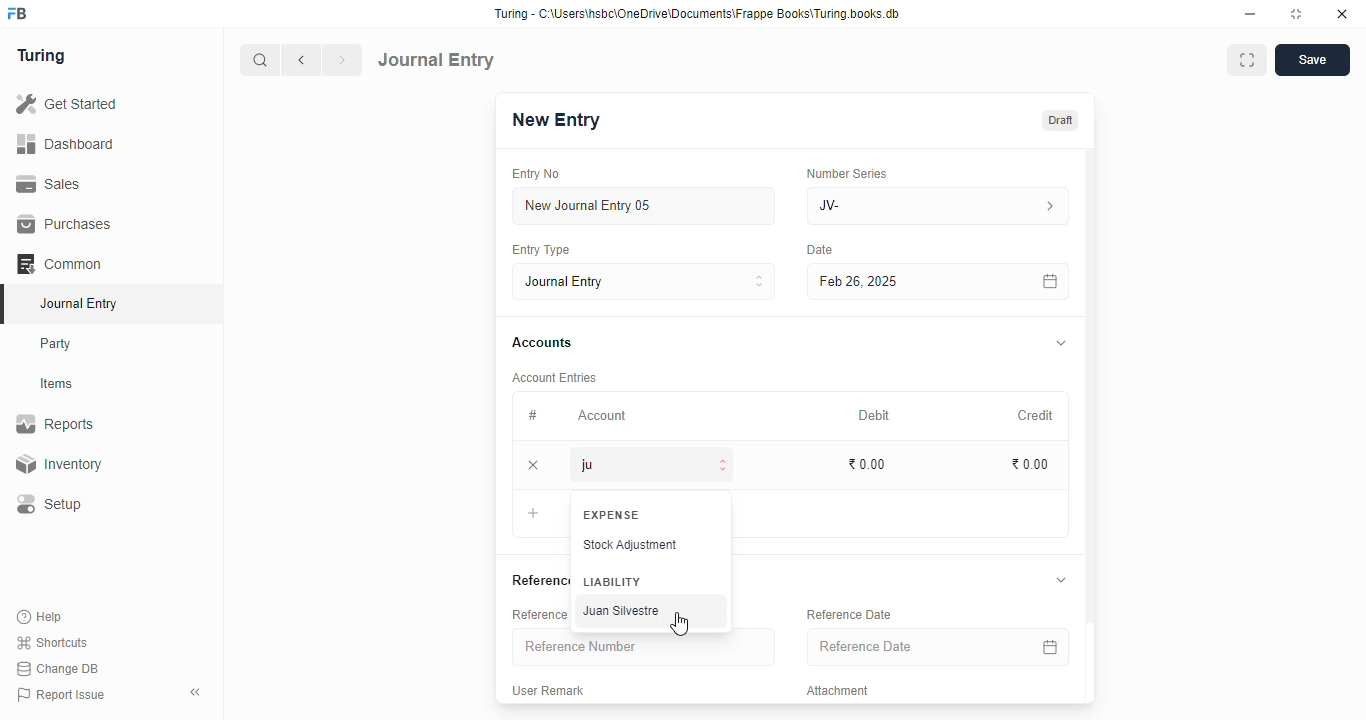 The width and height of the screenshot is (1366, 720). What do you see at coordinates (1037, 415) in the screenshot?
I see `credit` at bounding box center [1037, 415].